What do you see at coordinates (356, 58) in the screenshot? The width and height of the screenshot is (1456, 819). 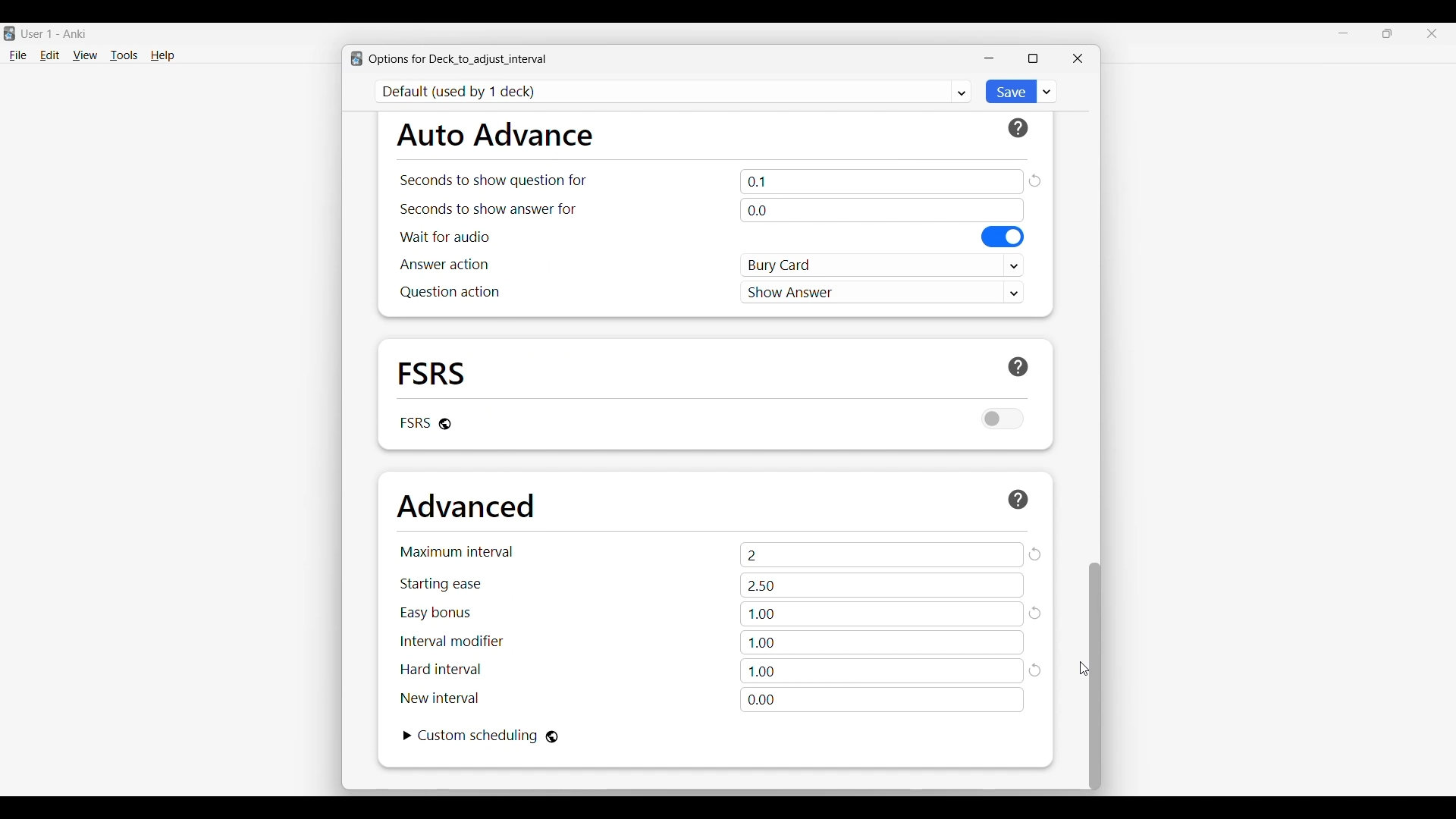 I see `Software logo` at bounding box center [356, 58].